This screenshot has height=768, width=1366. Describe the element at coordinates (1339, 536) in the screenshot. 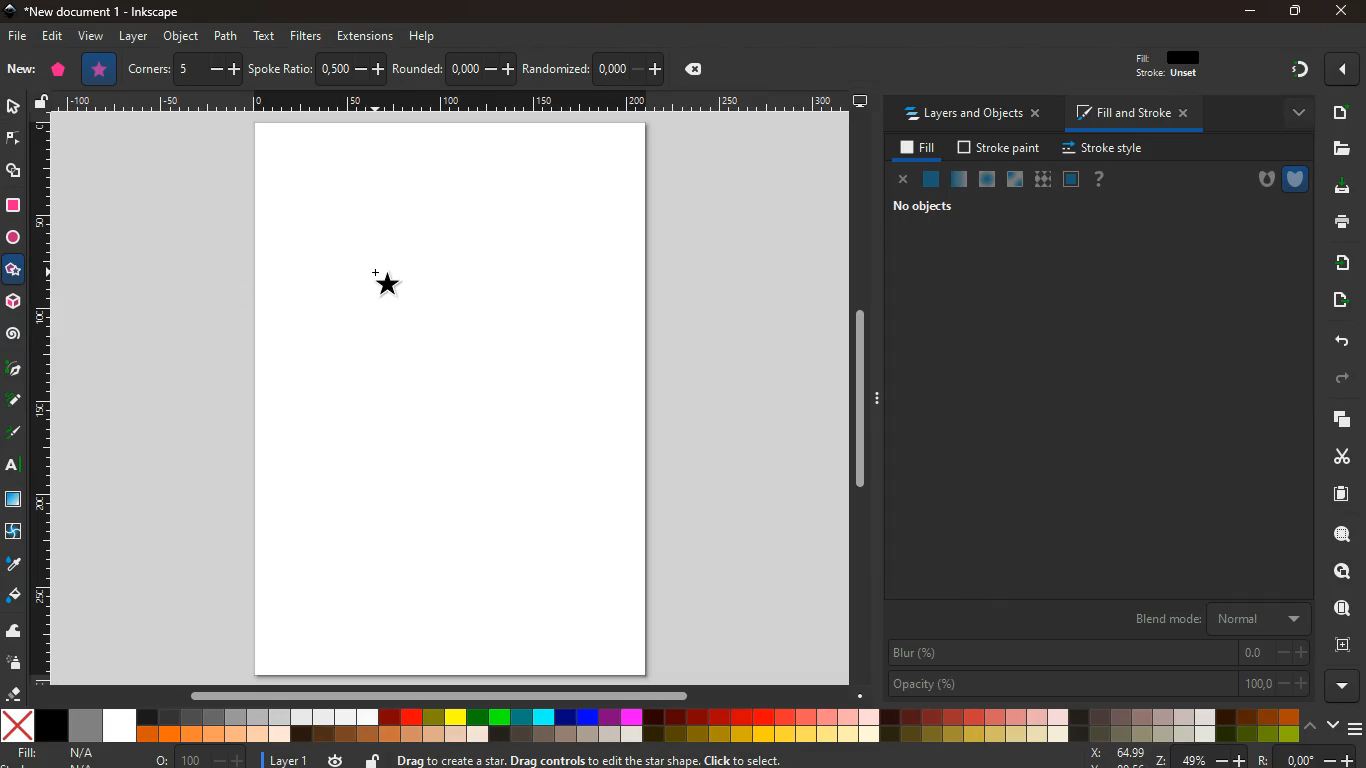

I see `zoom` at that location.